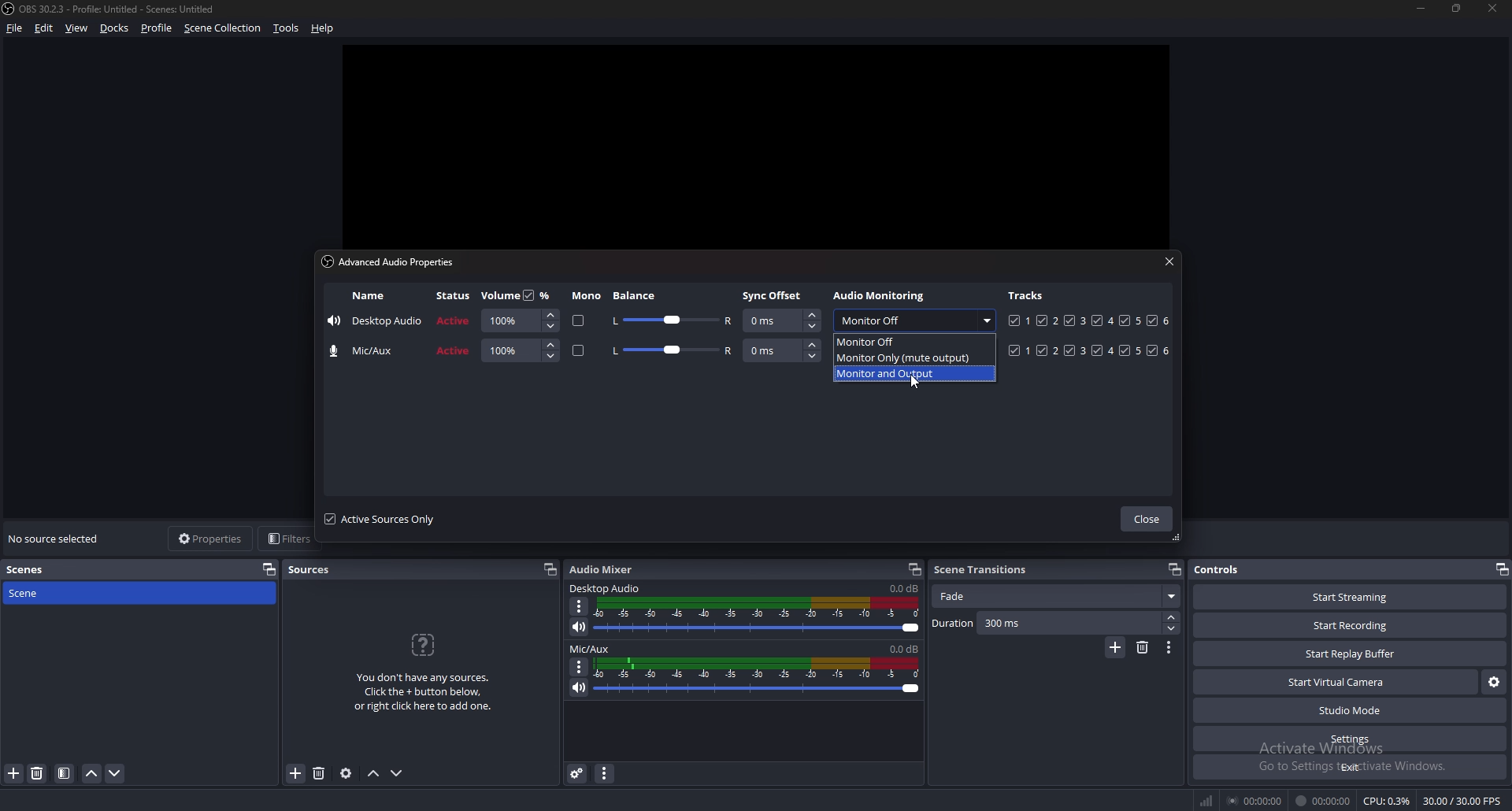 The width and height of the screenshot is (1512, 811). What do you see at coordinates (1502, 570) in the screenshot?
I see `pop out` at bounding box center [1502, 570].